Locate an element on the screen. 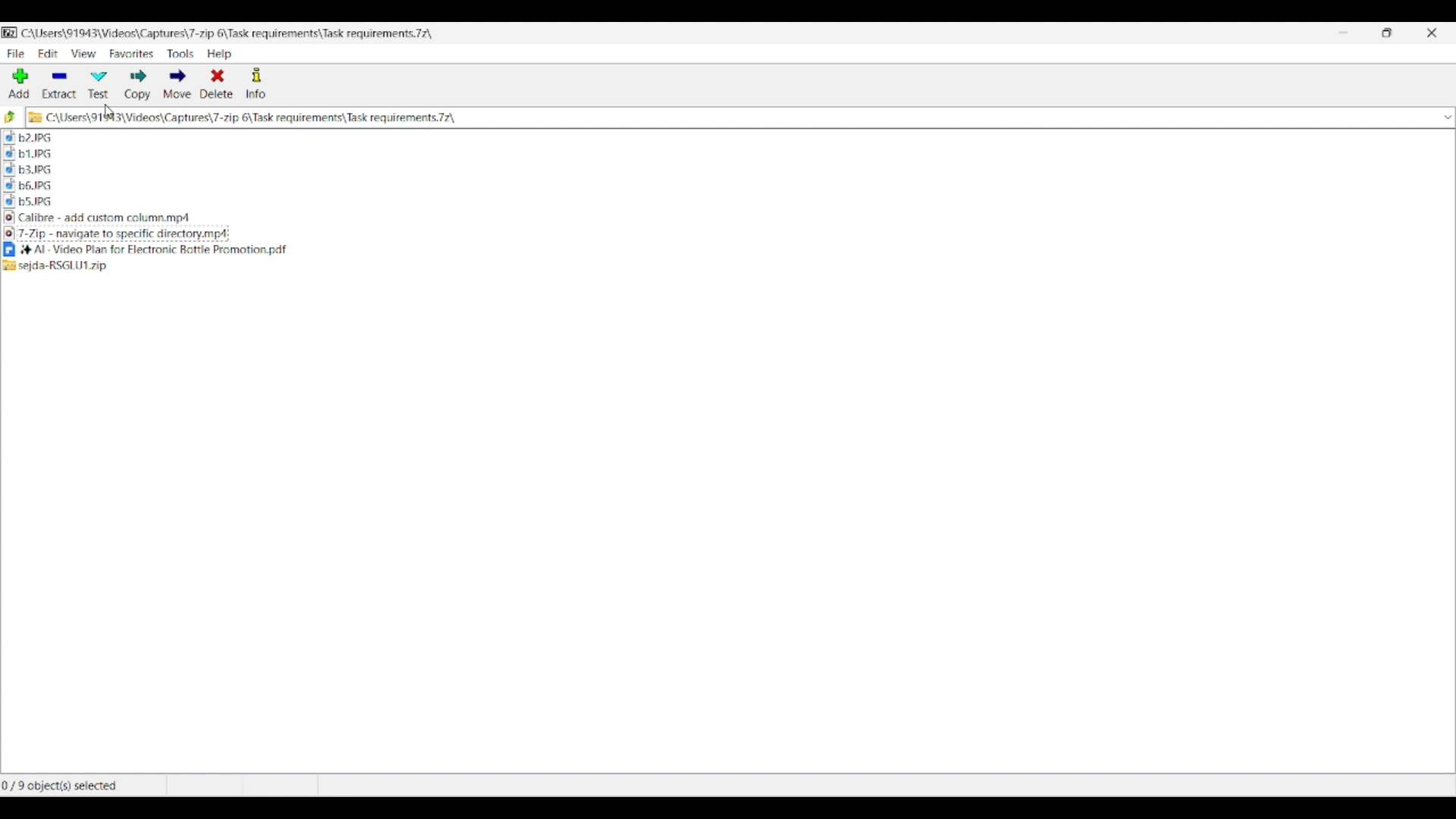 The height and width of the screenshot is (819, 1456). Folder location is located at coordinates (227, 33).